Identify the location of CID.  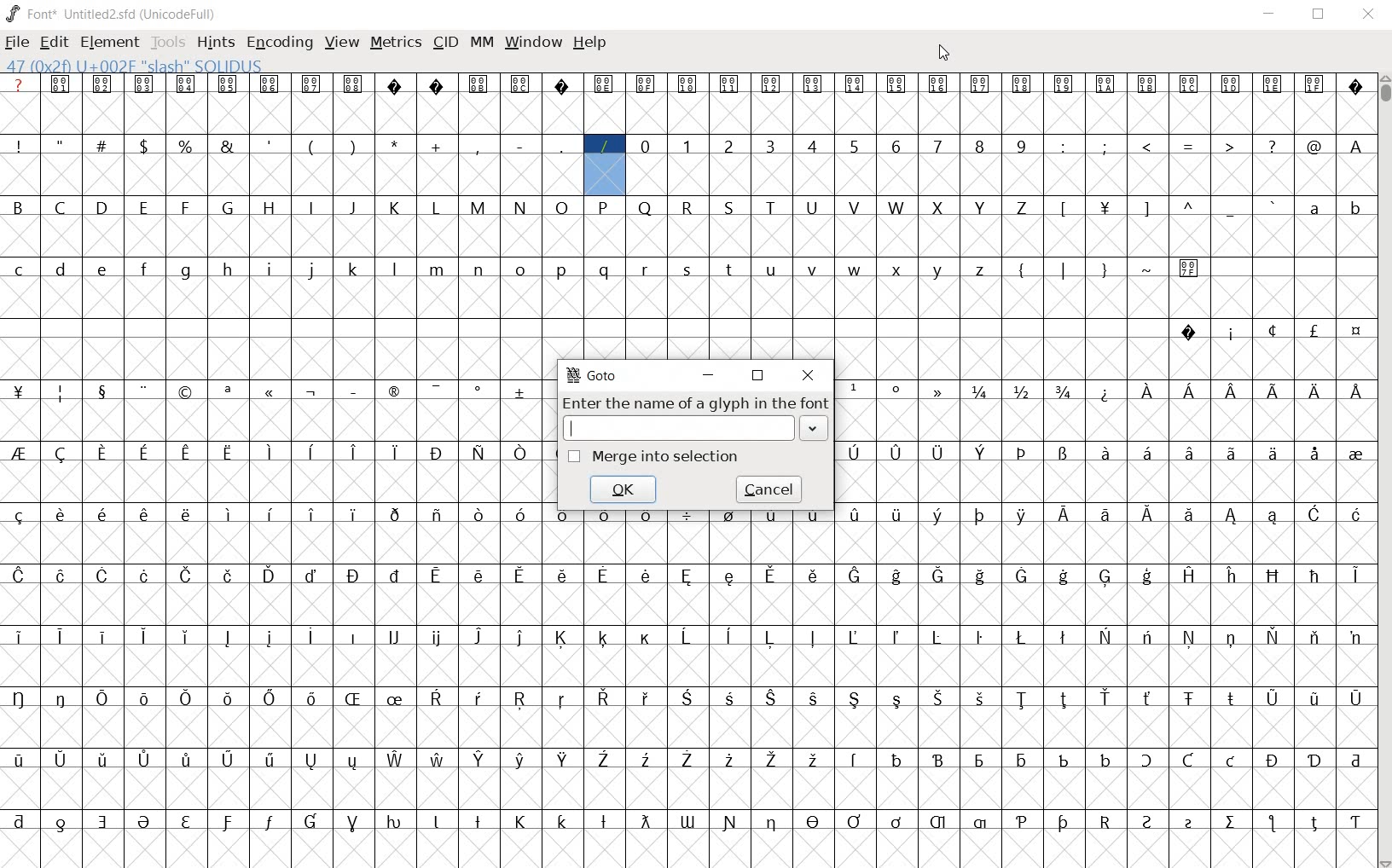
(445, 43).